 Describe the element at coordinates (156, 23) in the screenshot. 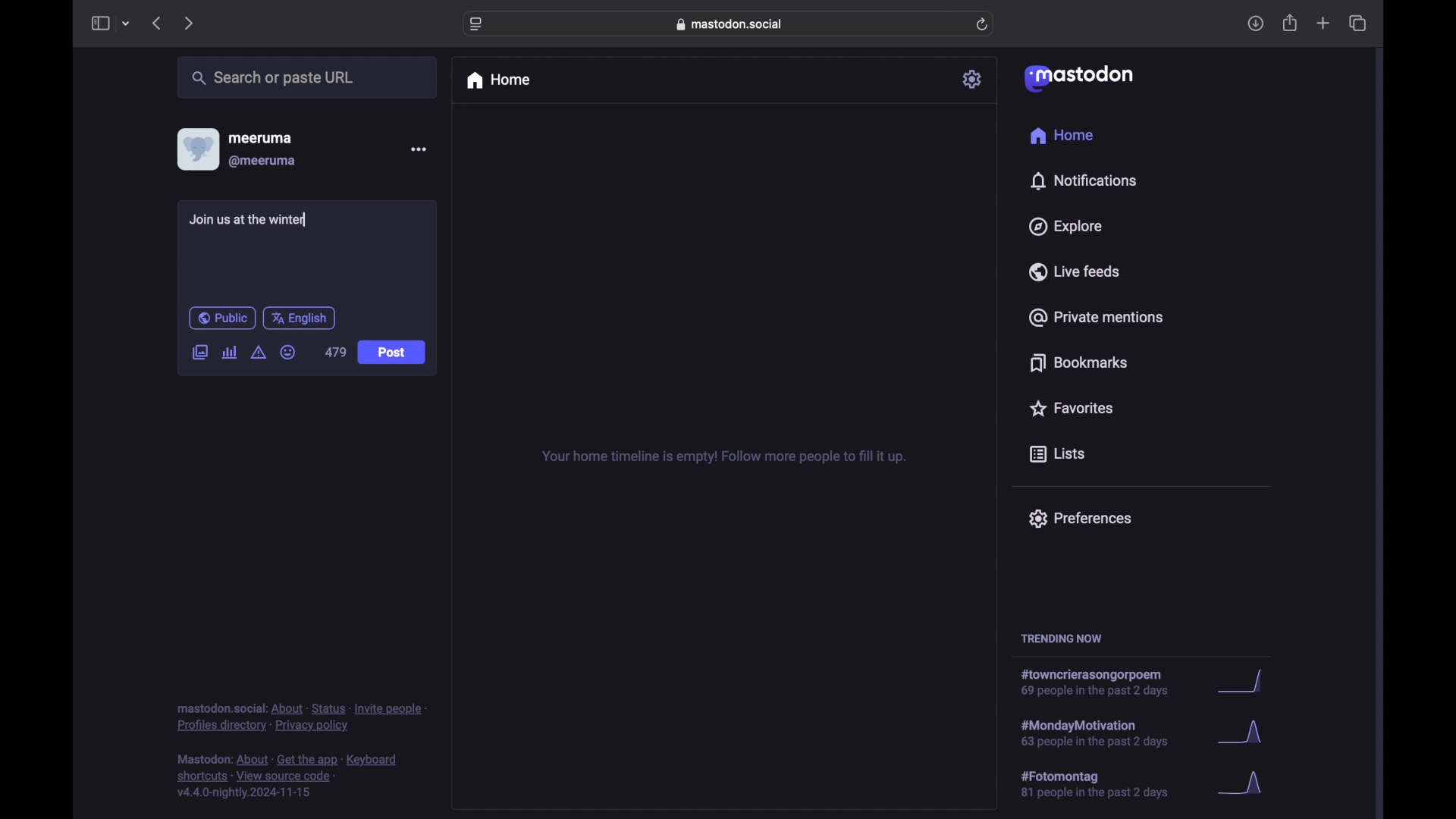

I see `previous` at that location.